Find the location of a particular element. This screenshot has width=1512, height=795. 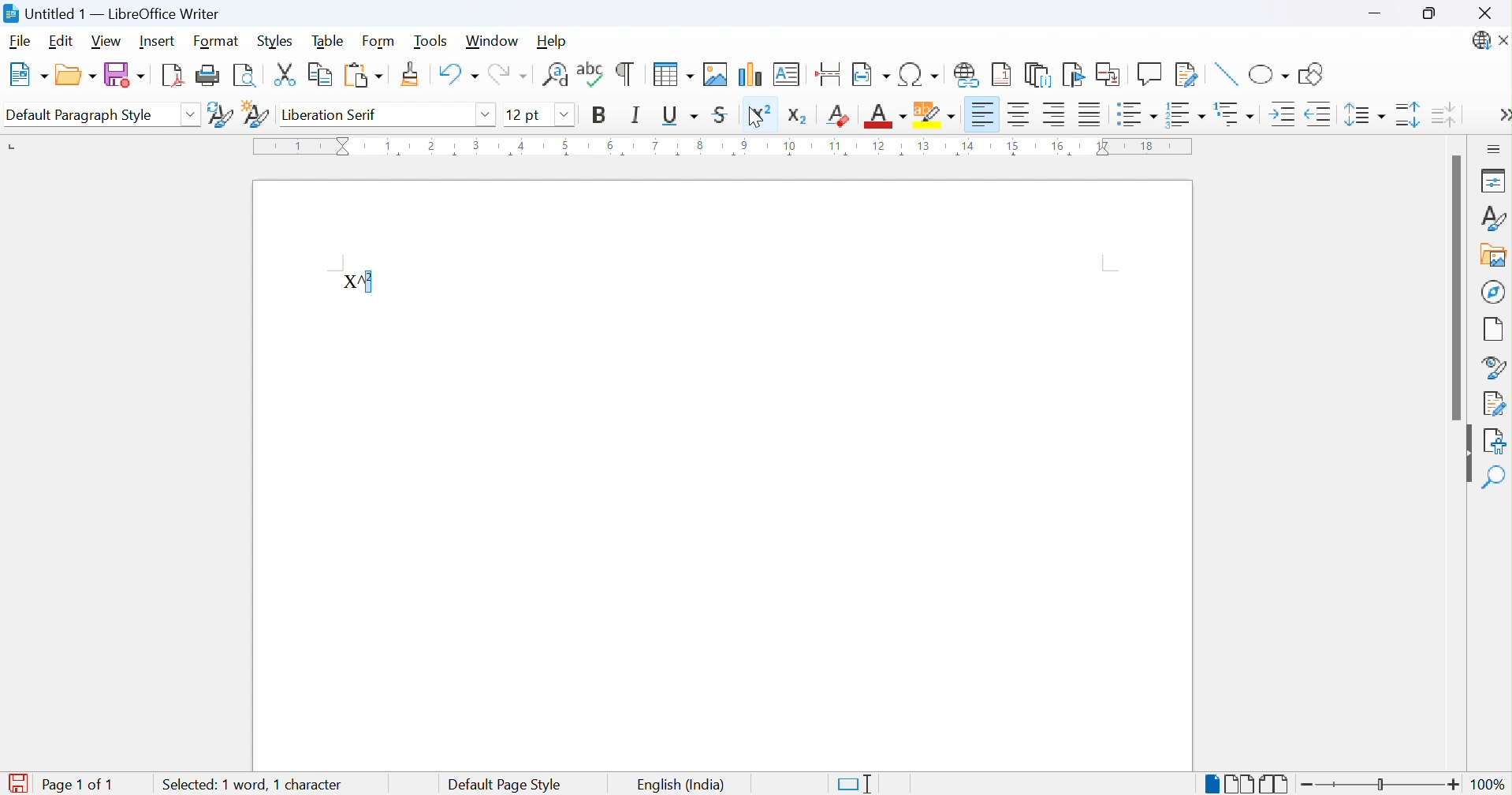

Close is located at coordinates (1503, 40).